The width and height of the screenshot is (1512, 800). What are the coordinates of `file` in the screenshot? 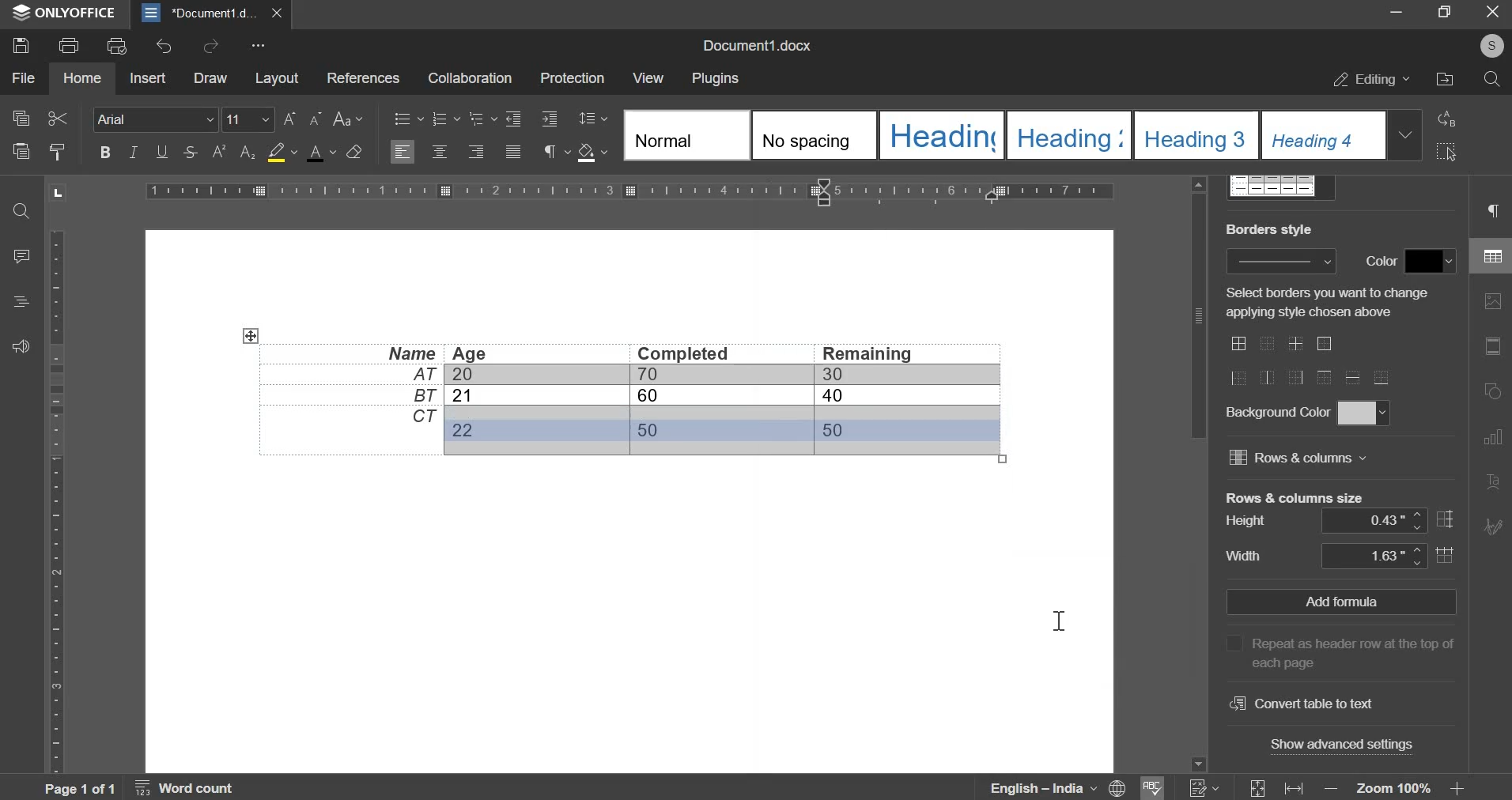 It's located at (22, 77).